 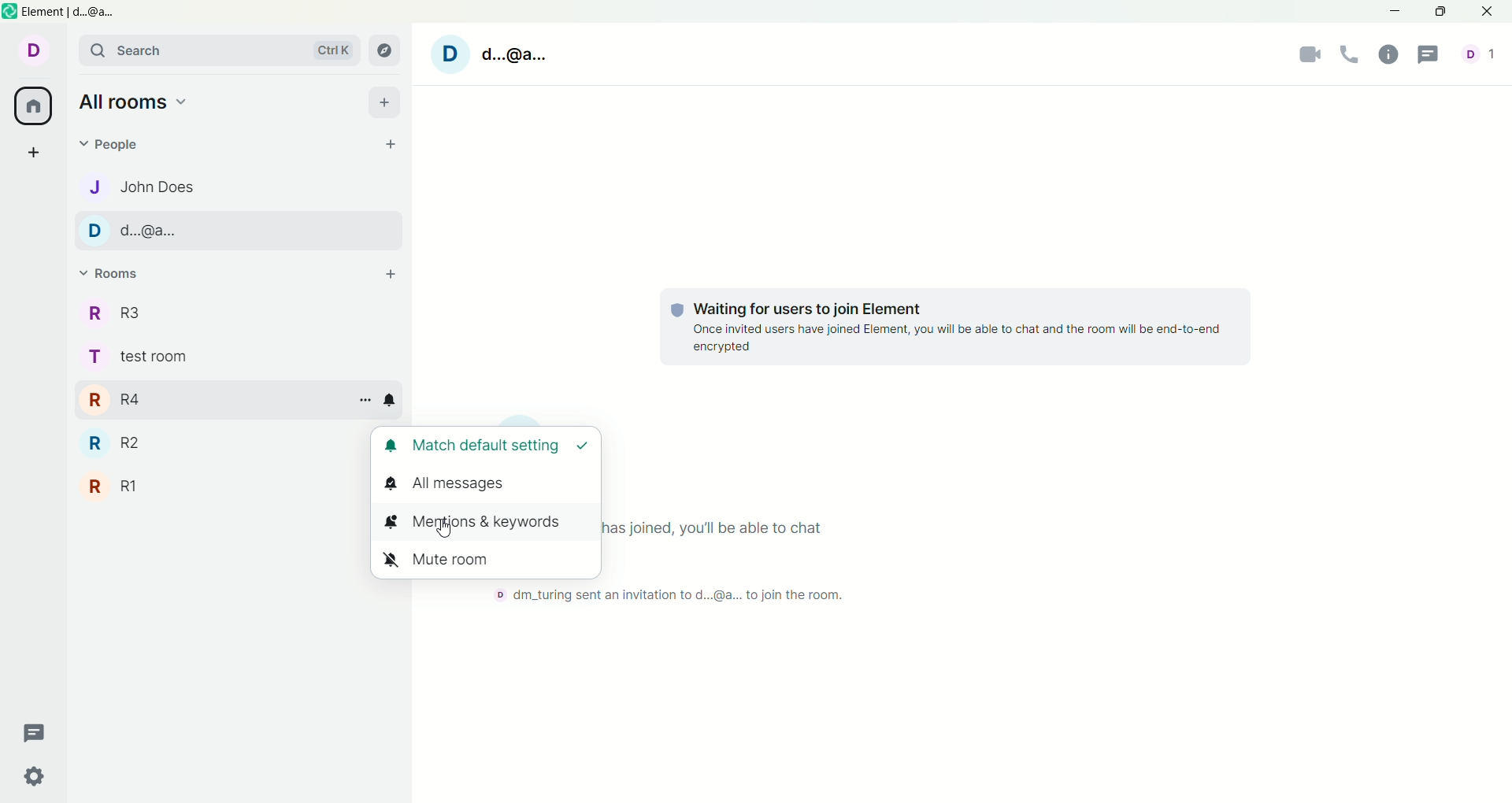 I want to click on mute room, so click(x=485, y=560).